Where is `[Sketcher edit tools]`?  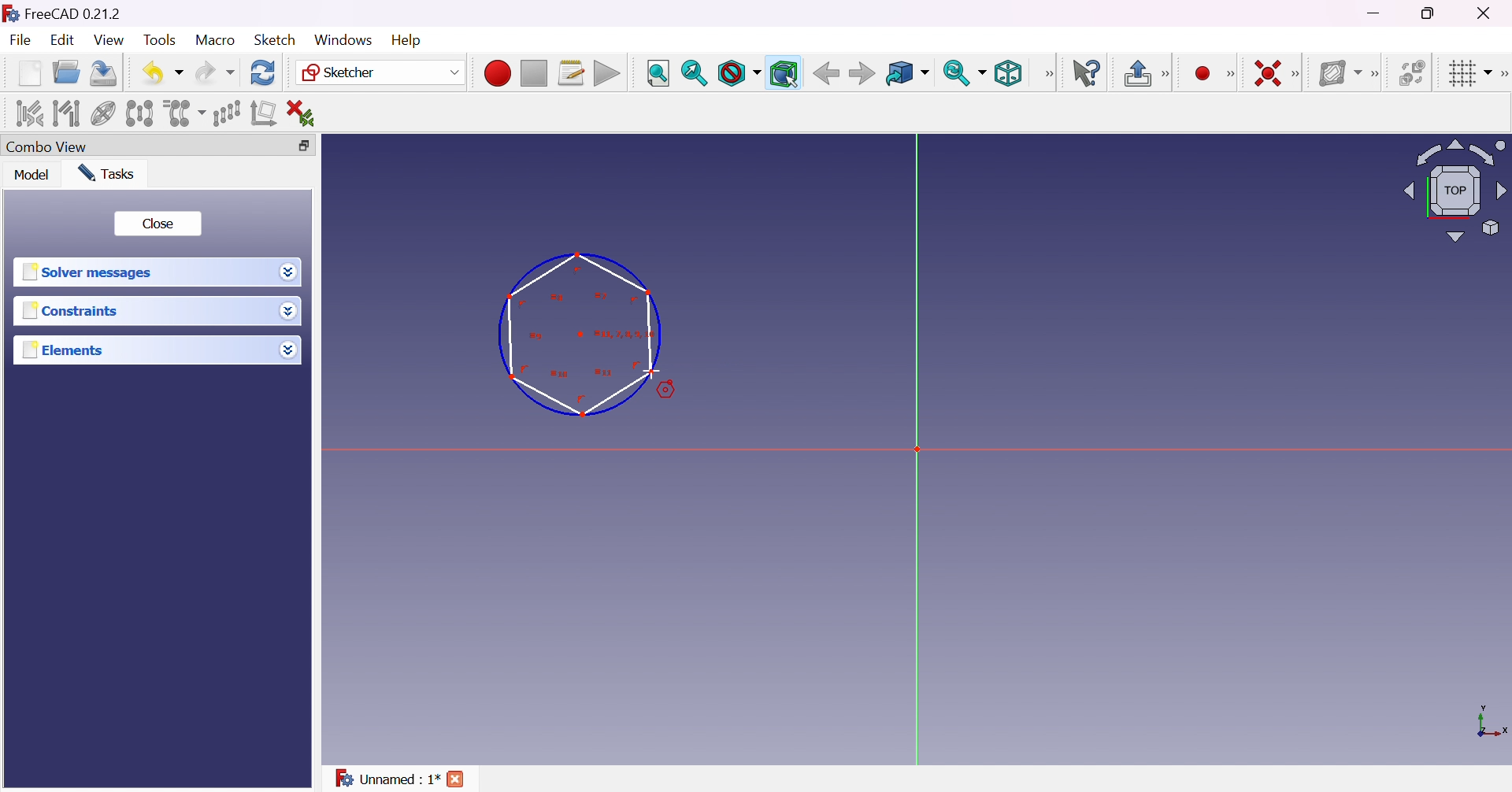
[Sketcher edit tools] is located at coordinates (1503, 74).